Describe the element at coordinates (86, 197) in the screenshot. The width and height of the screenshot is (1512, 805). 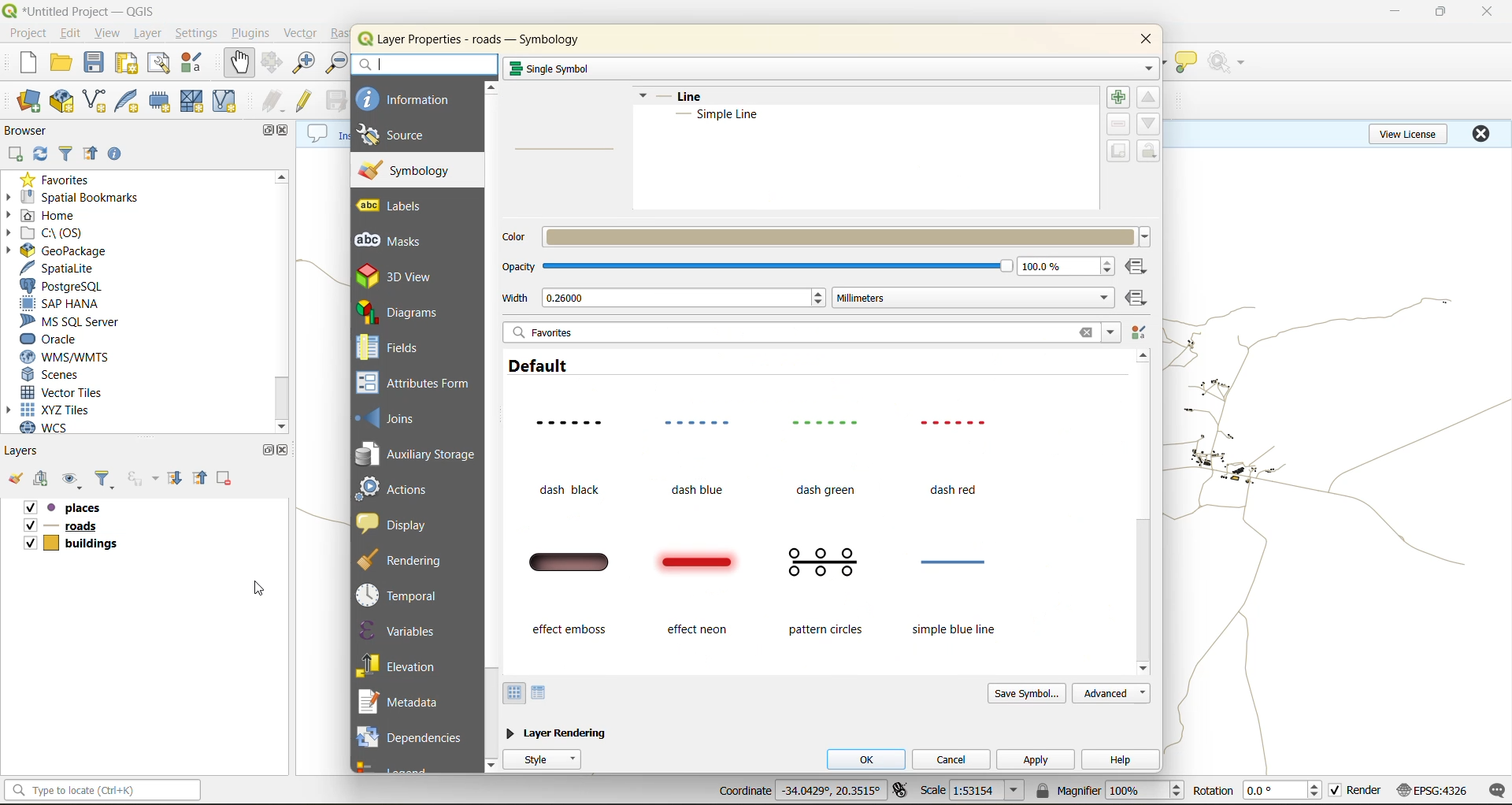
I see `spatial bookmarks` at that location.